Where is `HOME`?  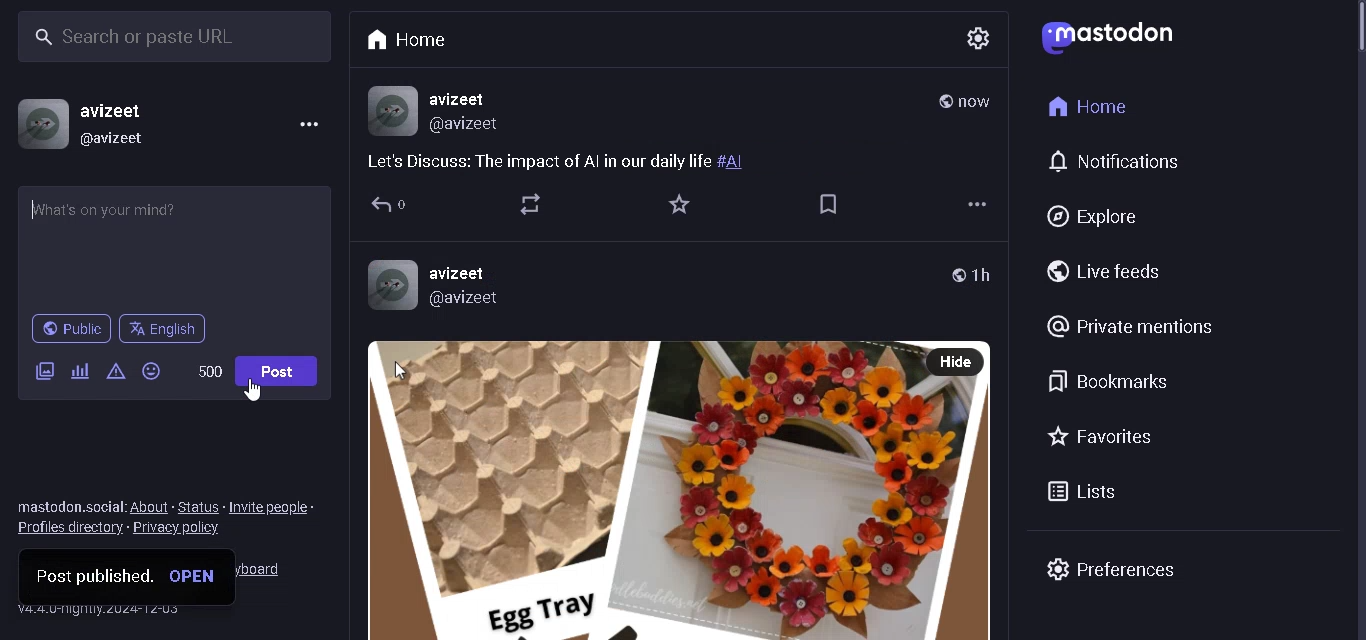 HOME is located at coordinates (1088, 108).